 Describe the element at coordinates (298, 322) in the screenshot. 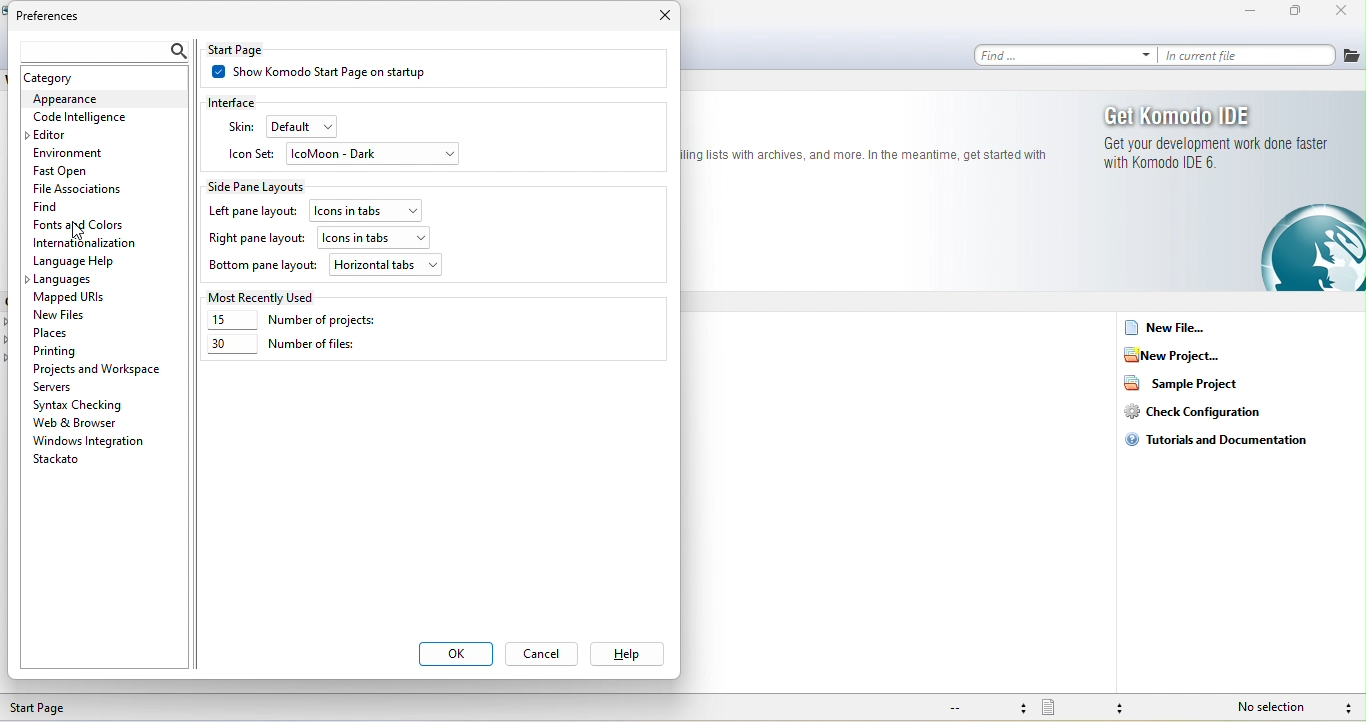

I see `number of project` at that location.